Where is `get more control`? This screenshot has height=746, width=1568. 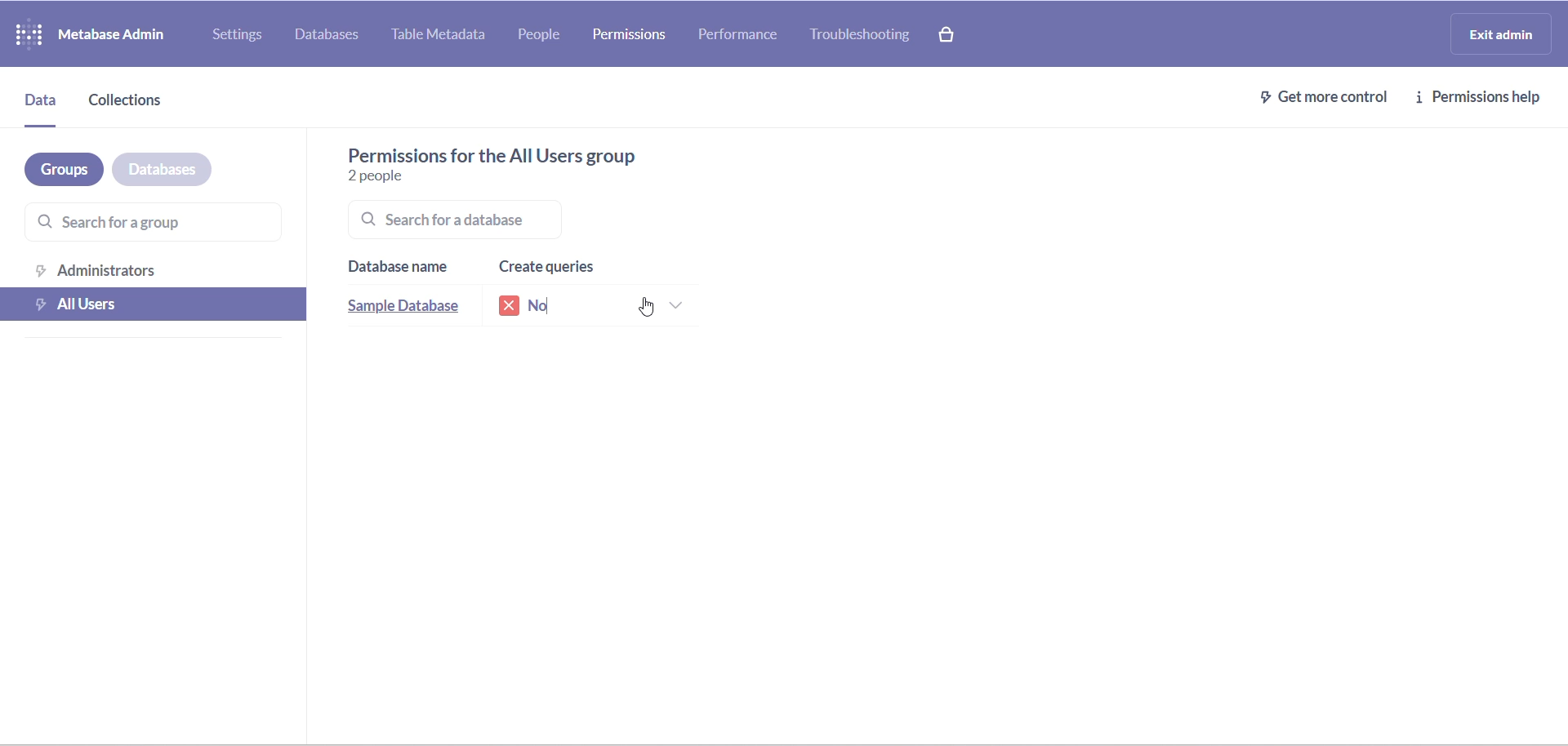 get more control is located at coordinates (1314, 100).